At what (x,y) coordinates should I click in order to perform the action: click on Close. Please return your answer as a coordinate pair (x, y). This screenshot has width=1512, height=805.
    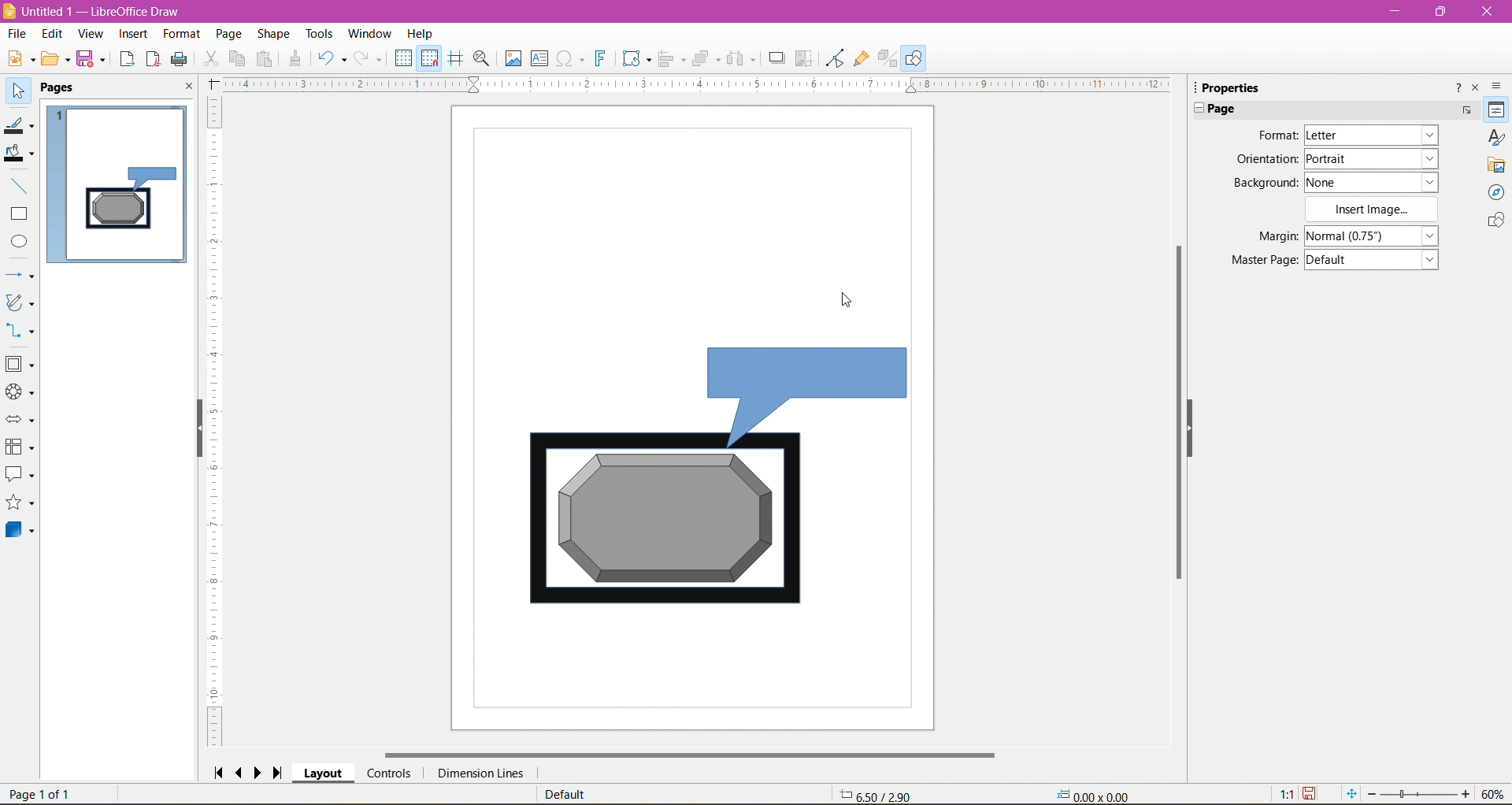
    Looking at the image, I should click on (1486, 12).